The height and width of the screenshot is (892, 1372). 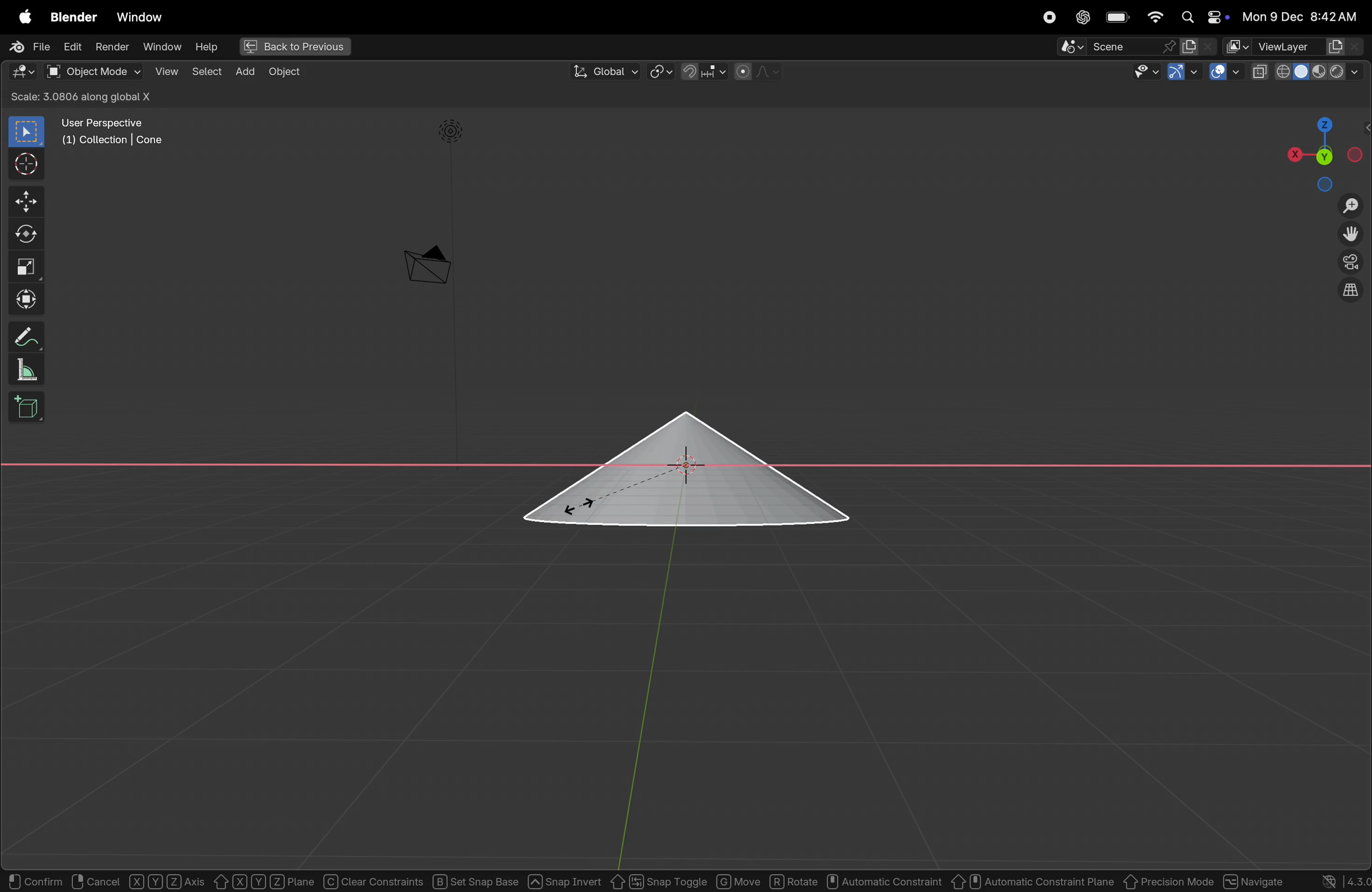 I want to click on Navigate, so click(x=1253, y=879).